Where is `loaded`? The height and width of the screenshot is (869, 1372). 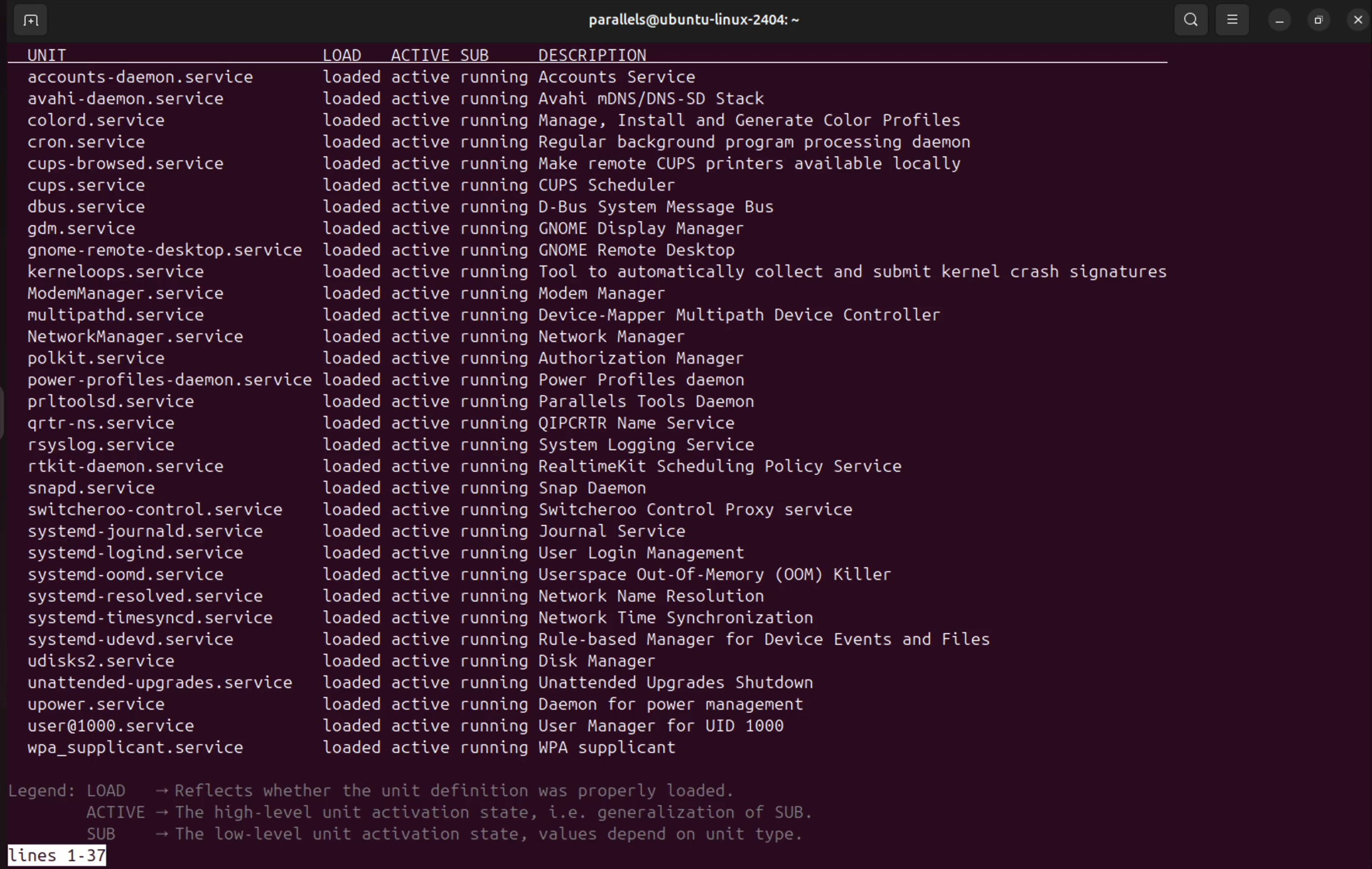 loaded is located at coordinates (349, 510).